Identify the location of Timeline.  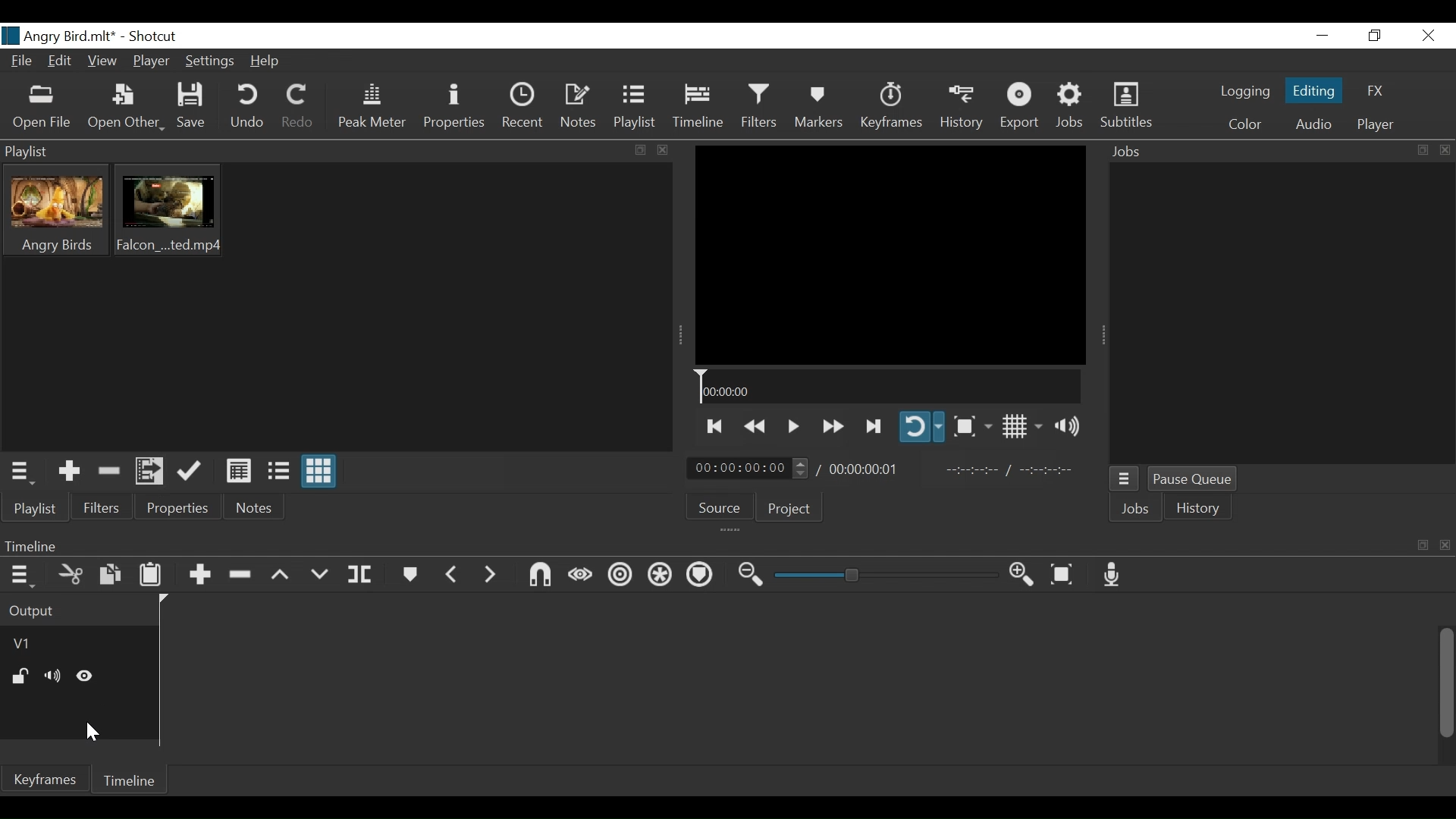
(888, 385).